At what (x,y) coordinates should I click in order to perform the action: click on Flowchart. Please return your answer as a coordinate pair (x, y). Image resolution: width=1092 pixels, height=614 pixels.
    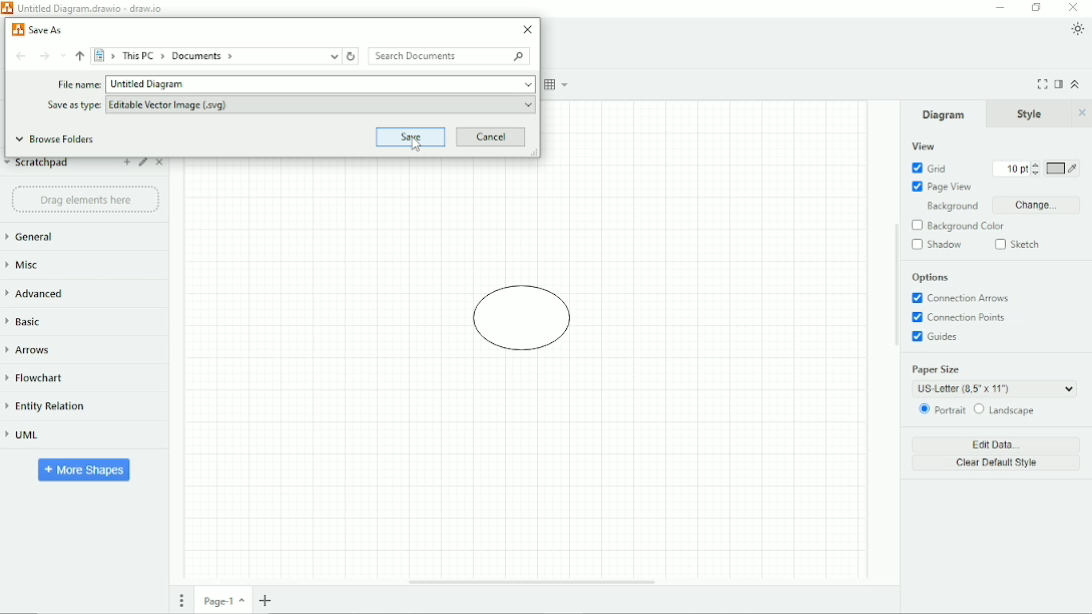
    Looking at the image, I should click on (38, 377).